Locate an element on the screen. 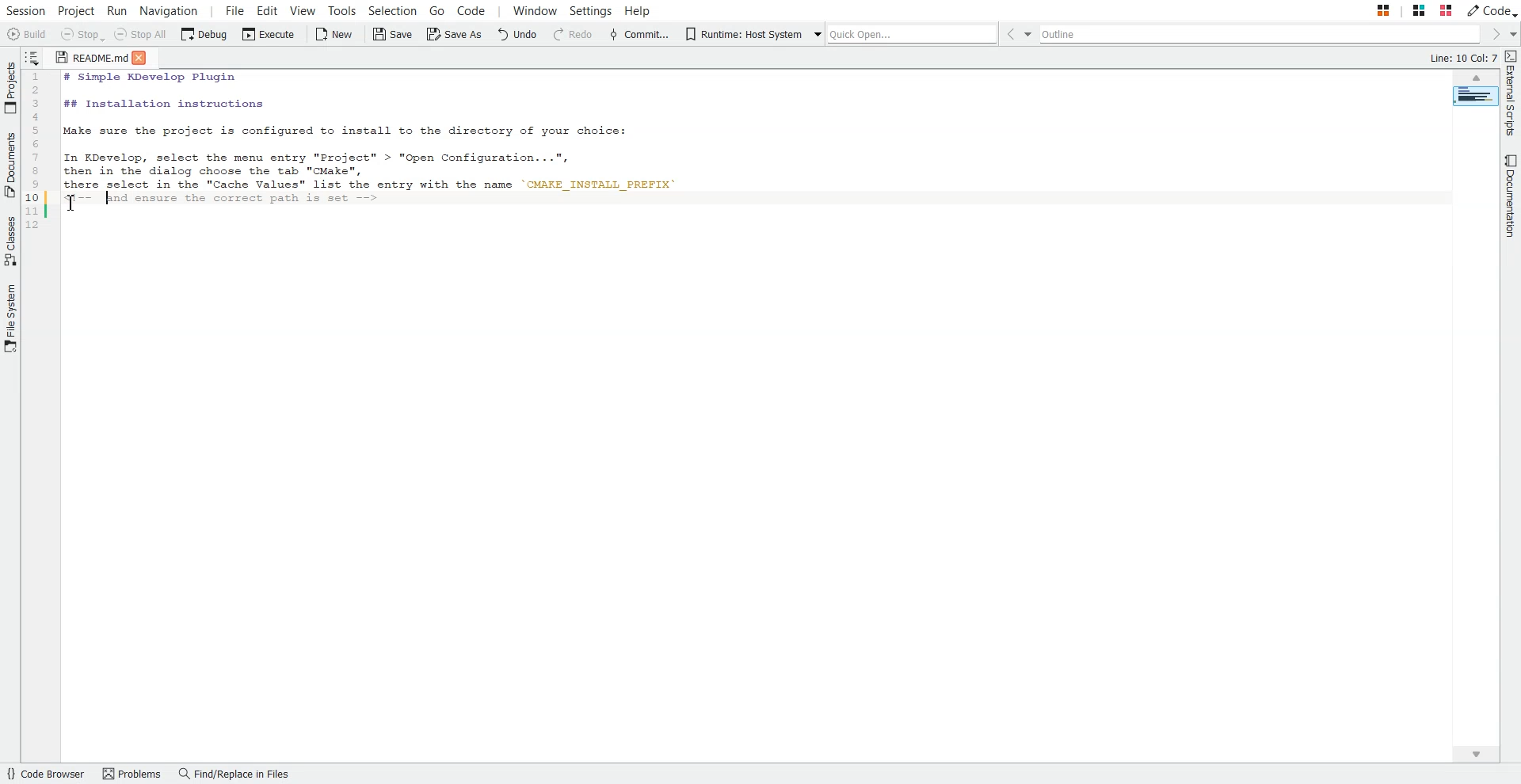 The image size is (1521, 784). Undo is located at coordinates (517, 35).